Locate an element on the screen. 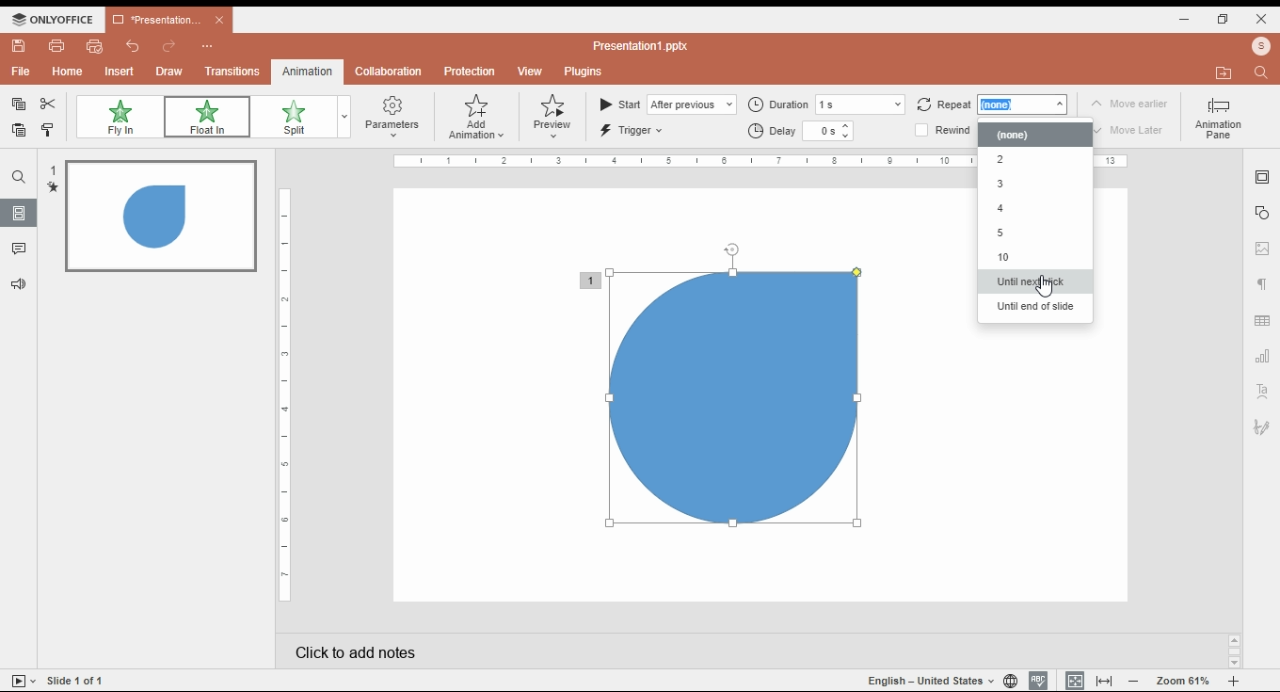 The height and width of the screenshot is (692, 1280). set language is located at coordinates (1010, 681).